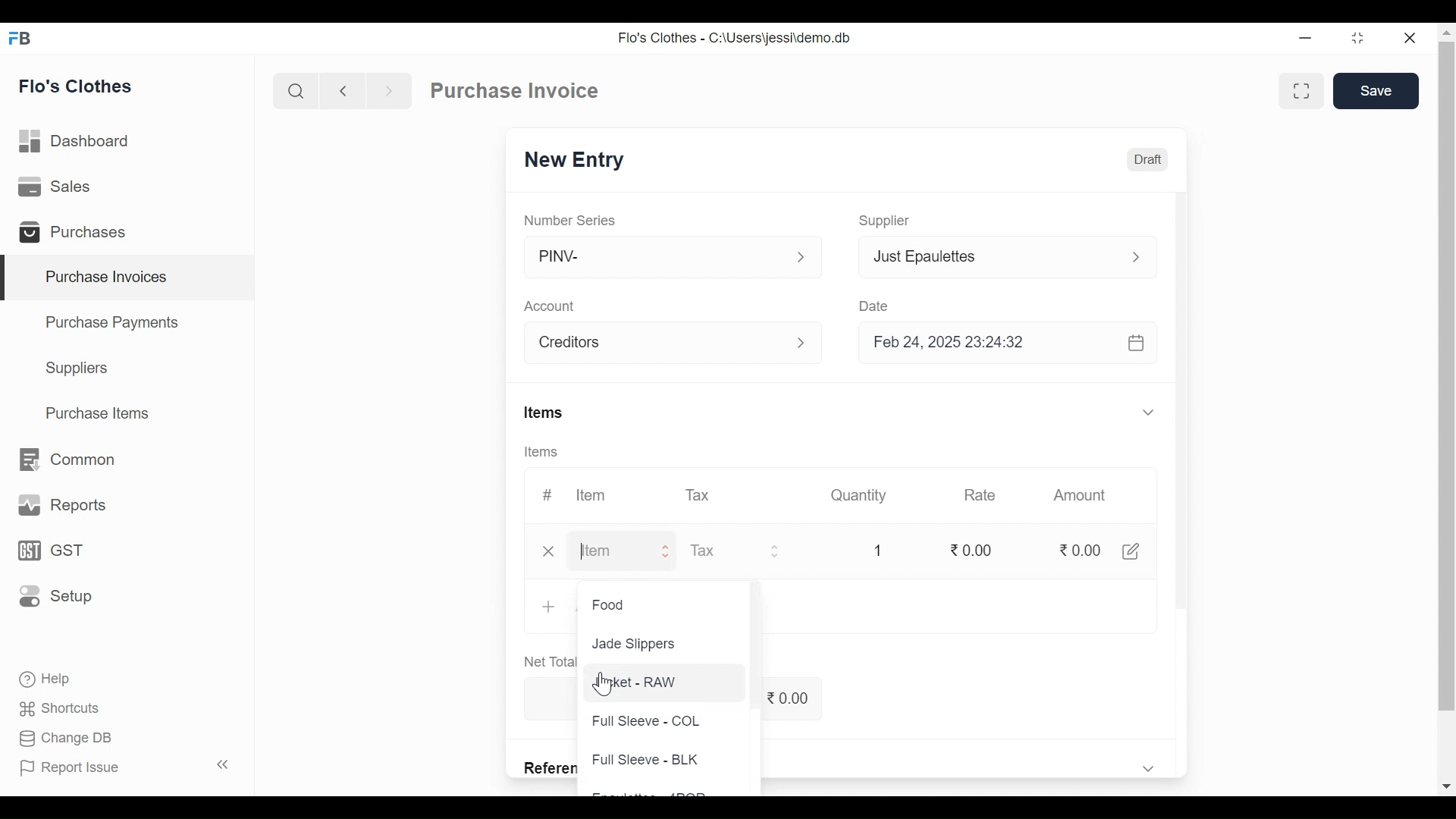 The height and width of the screenshot is (819, 1456). I want to click on Purchases, so click(77, 233).